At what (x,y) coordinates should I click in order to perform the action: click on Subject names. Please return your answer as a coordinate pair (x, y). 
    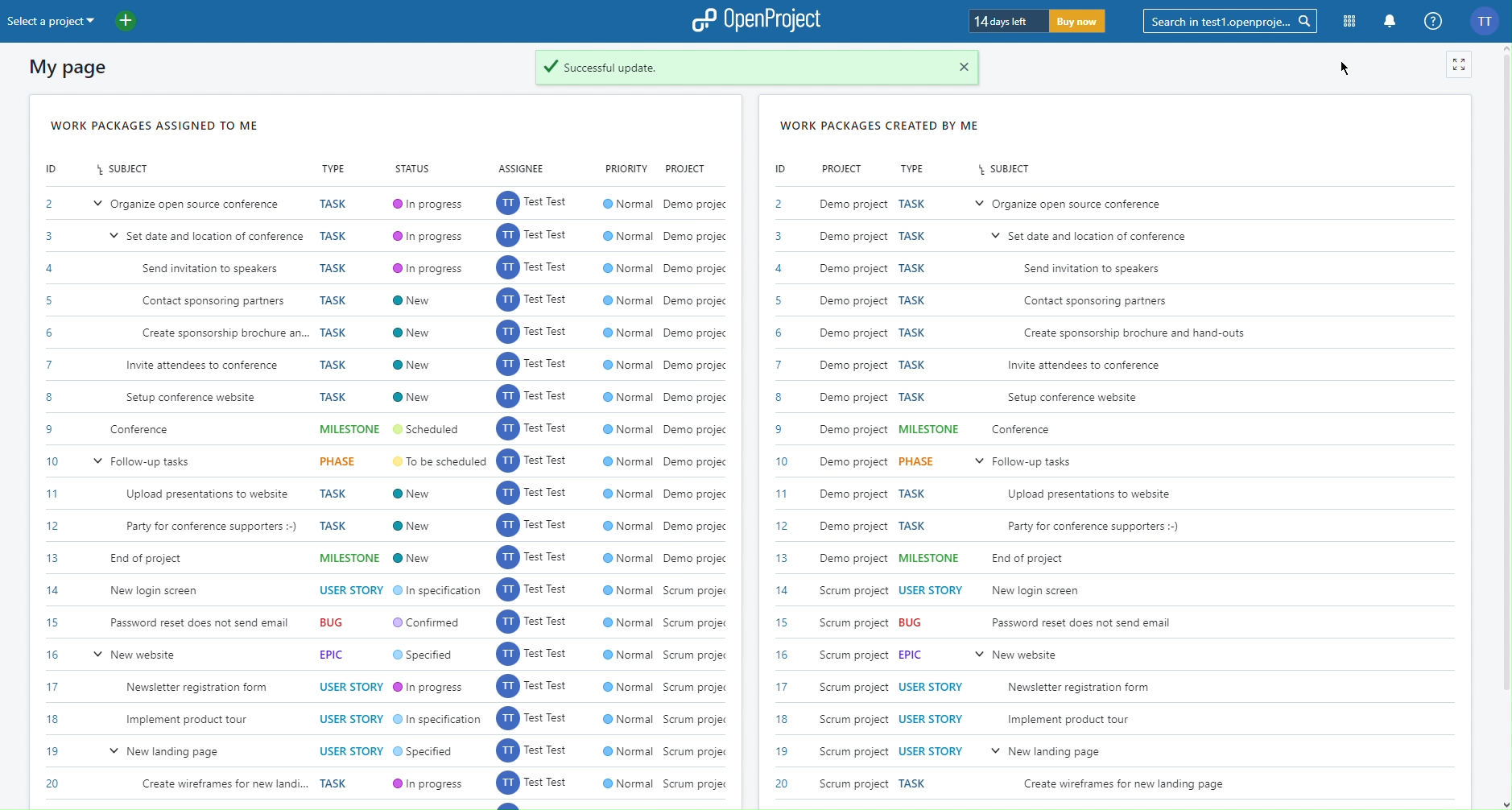
    Looking at the image, I should click on (201, 501).